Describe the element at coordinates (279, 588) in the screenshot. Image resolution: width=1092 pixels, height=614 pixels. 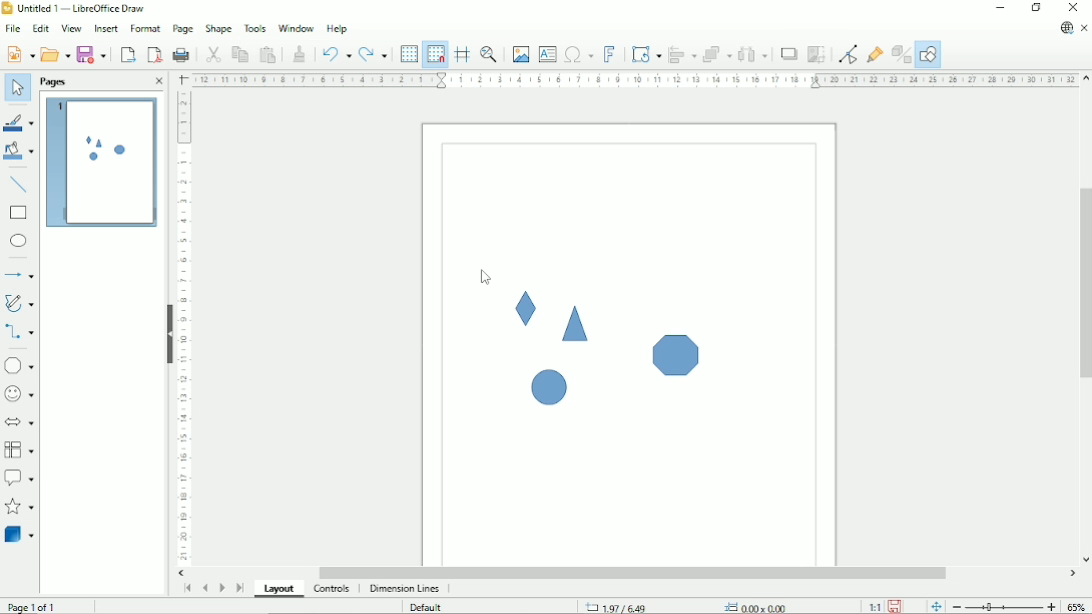
I see `Layout` at that location.